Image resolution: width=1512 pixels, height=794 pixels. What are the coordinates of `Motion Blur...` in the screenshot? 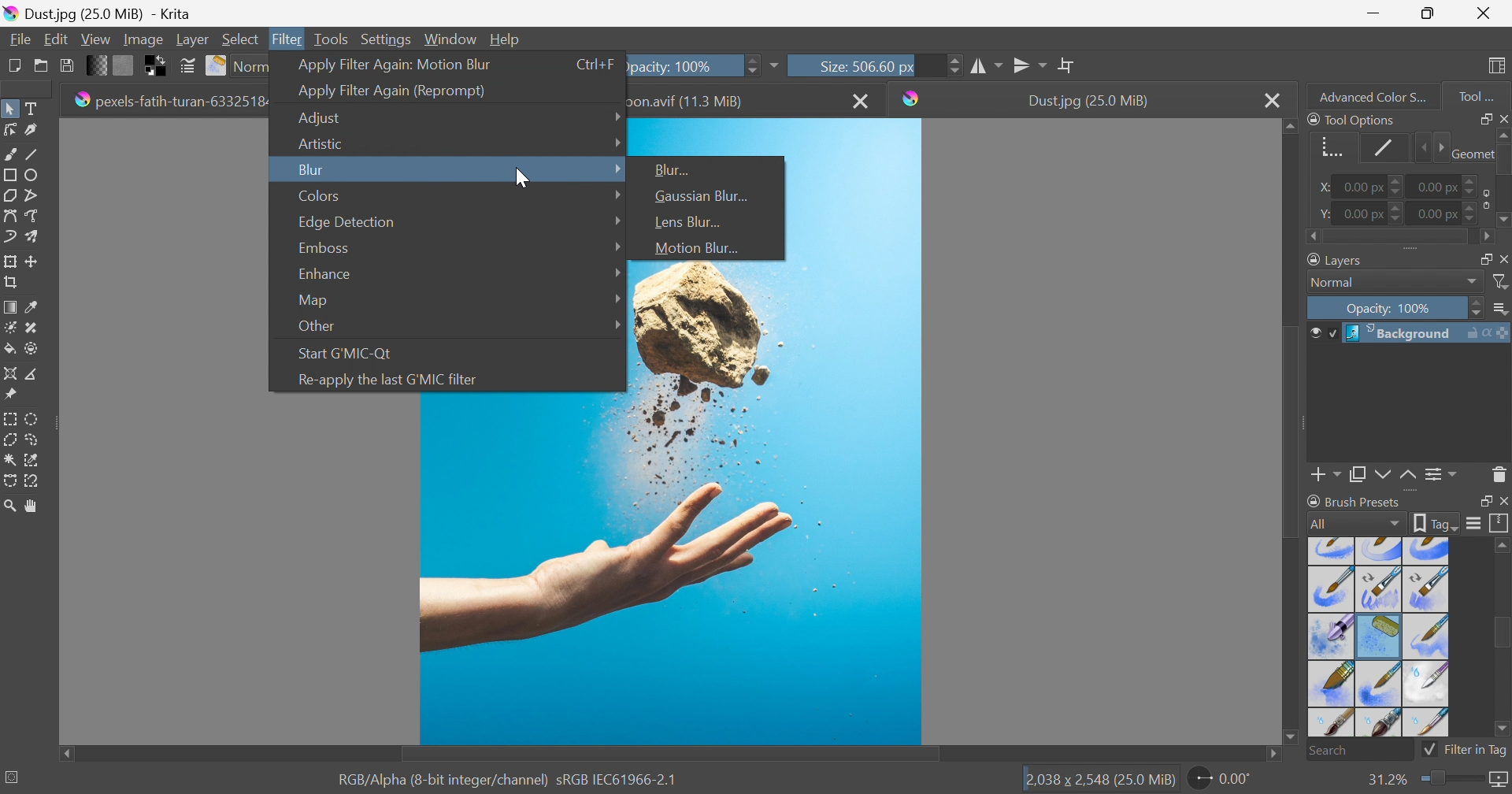 It's located at (695, 248).